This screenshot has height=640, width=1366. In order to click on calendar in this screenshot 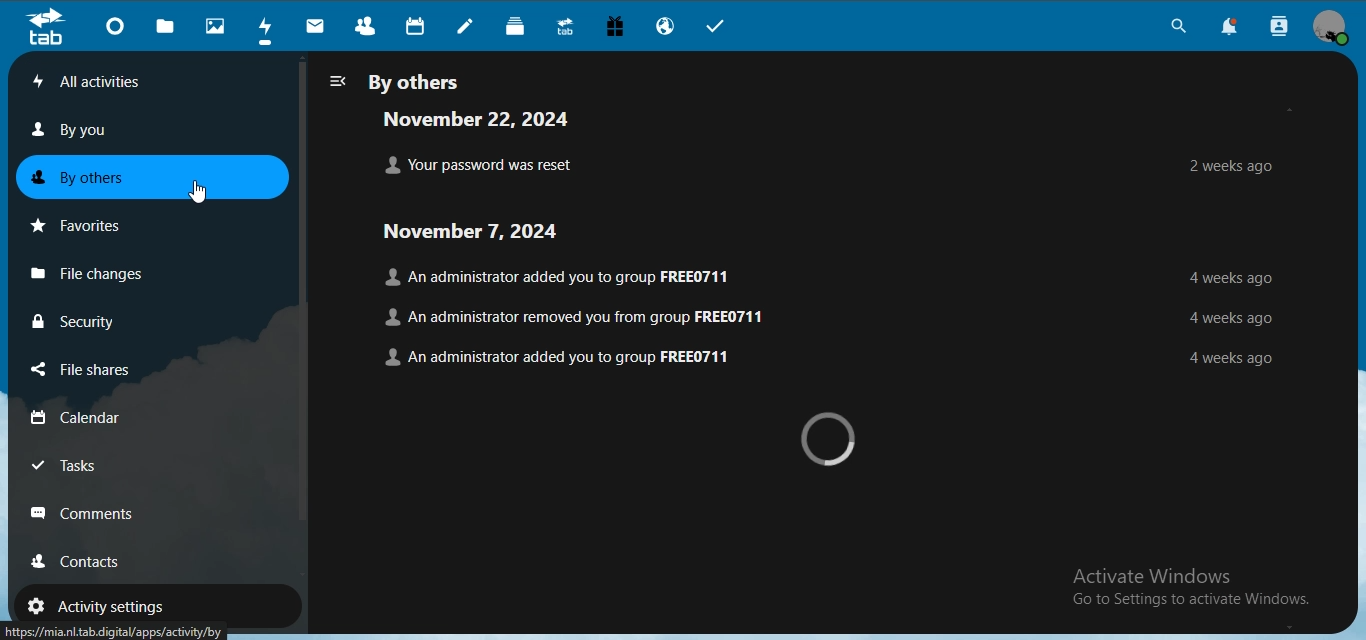, I will do `click(417, 25)`.